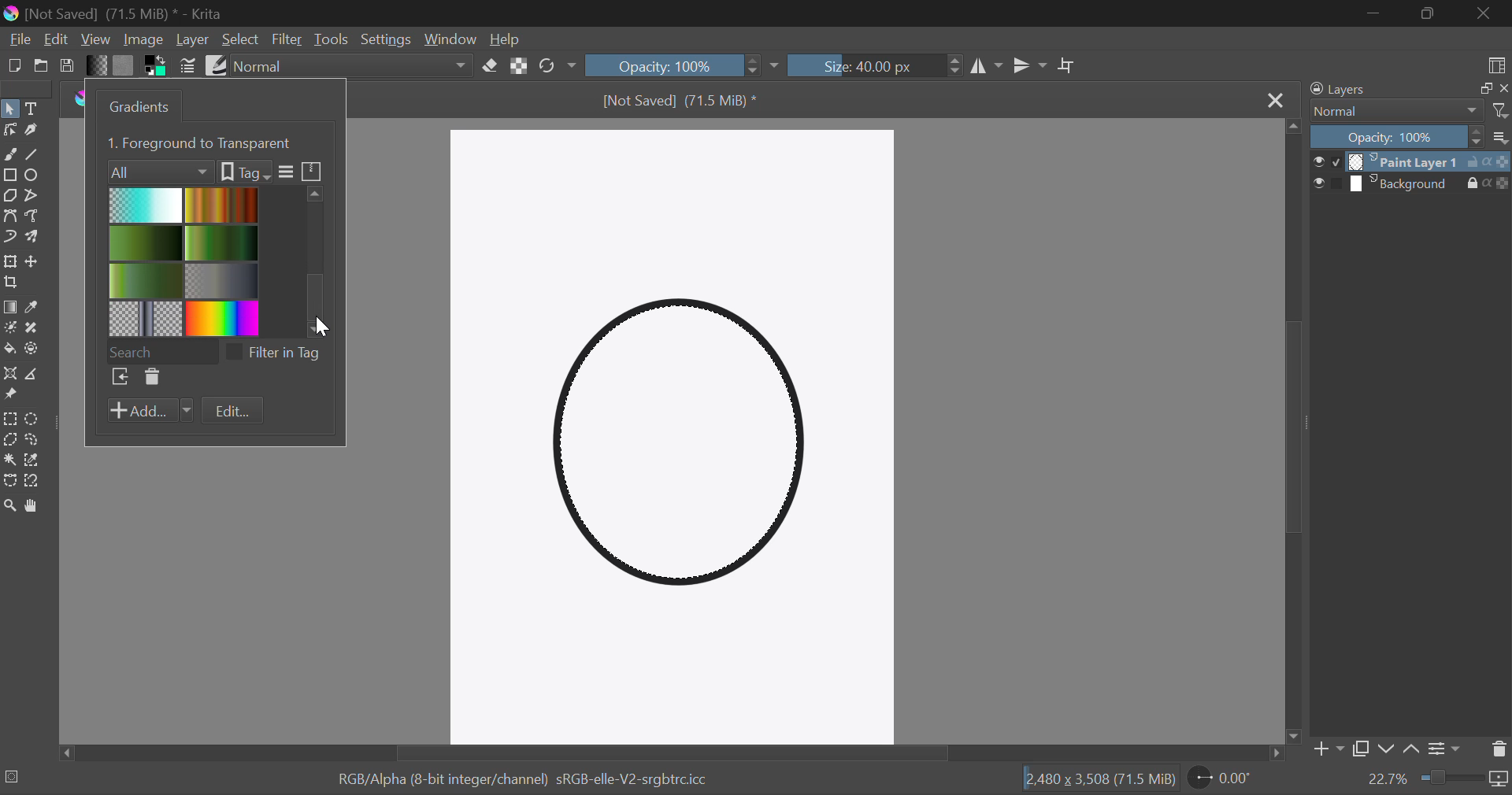 The width and height of the screenshot is (1512, 795). Describe the element at coordinates (39, 459) in the screenshot. I see `Similar Color Selection` at that location.